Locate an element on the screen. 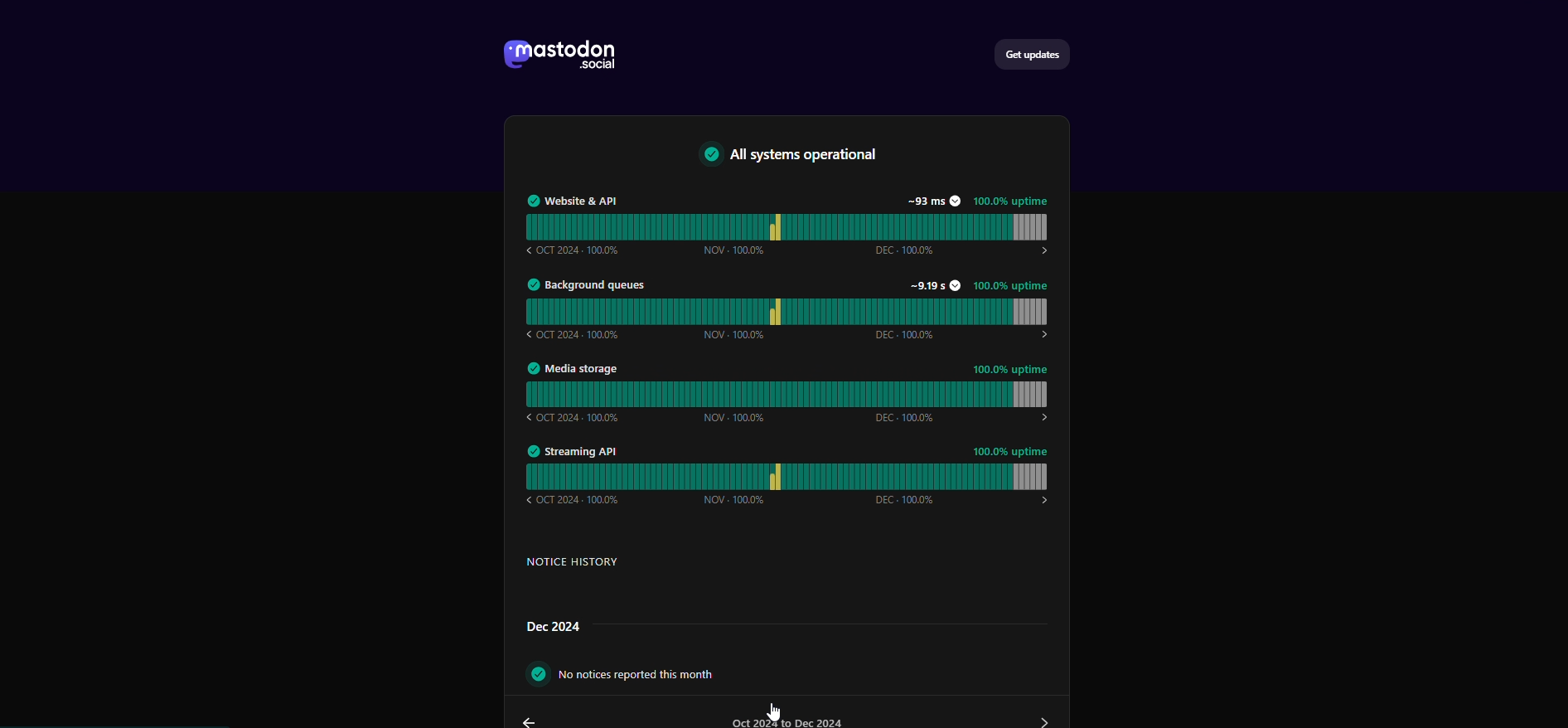 This screenshot has height=728, width=1568. media storage status is located at coordinates (791, 386).